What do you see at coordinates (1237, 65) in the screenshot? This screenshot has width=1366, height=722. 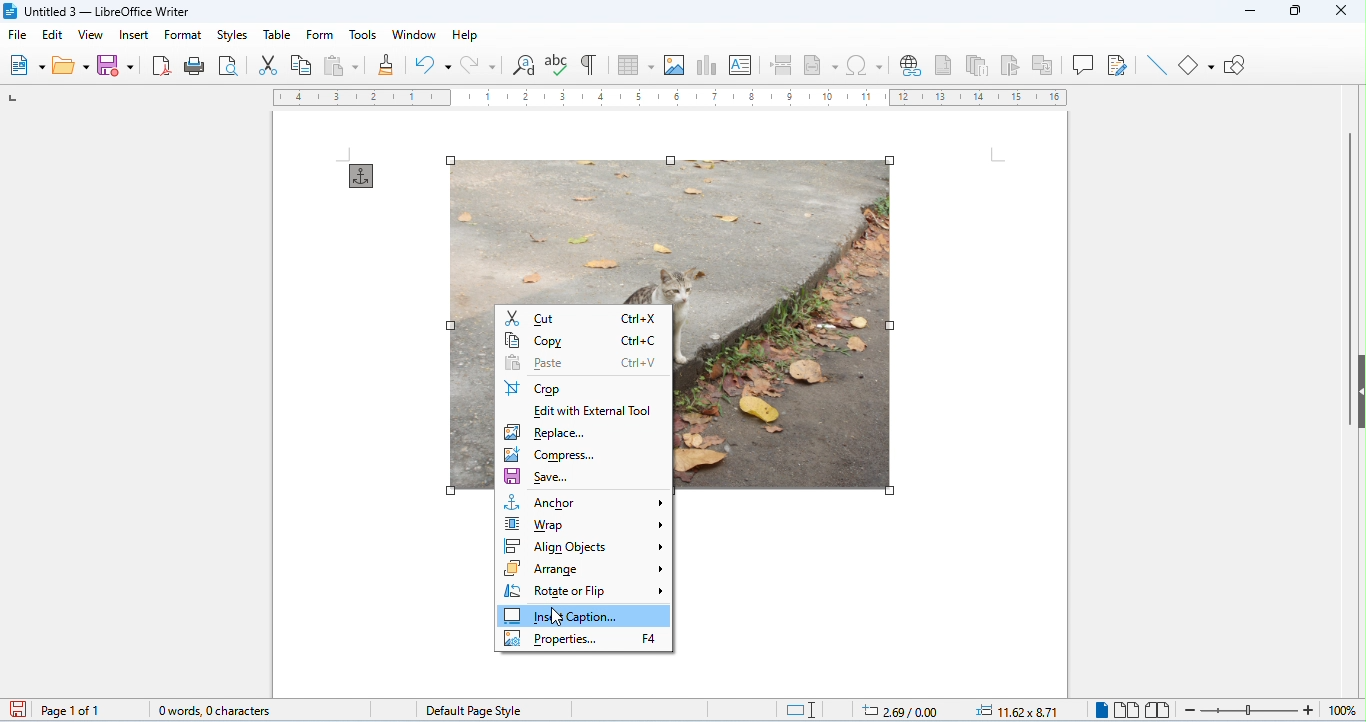 I see `show draw functions` at bounding box center [1237, 65].